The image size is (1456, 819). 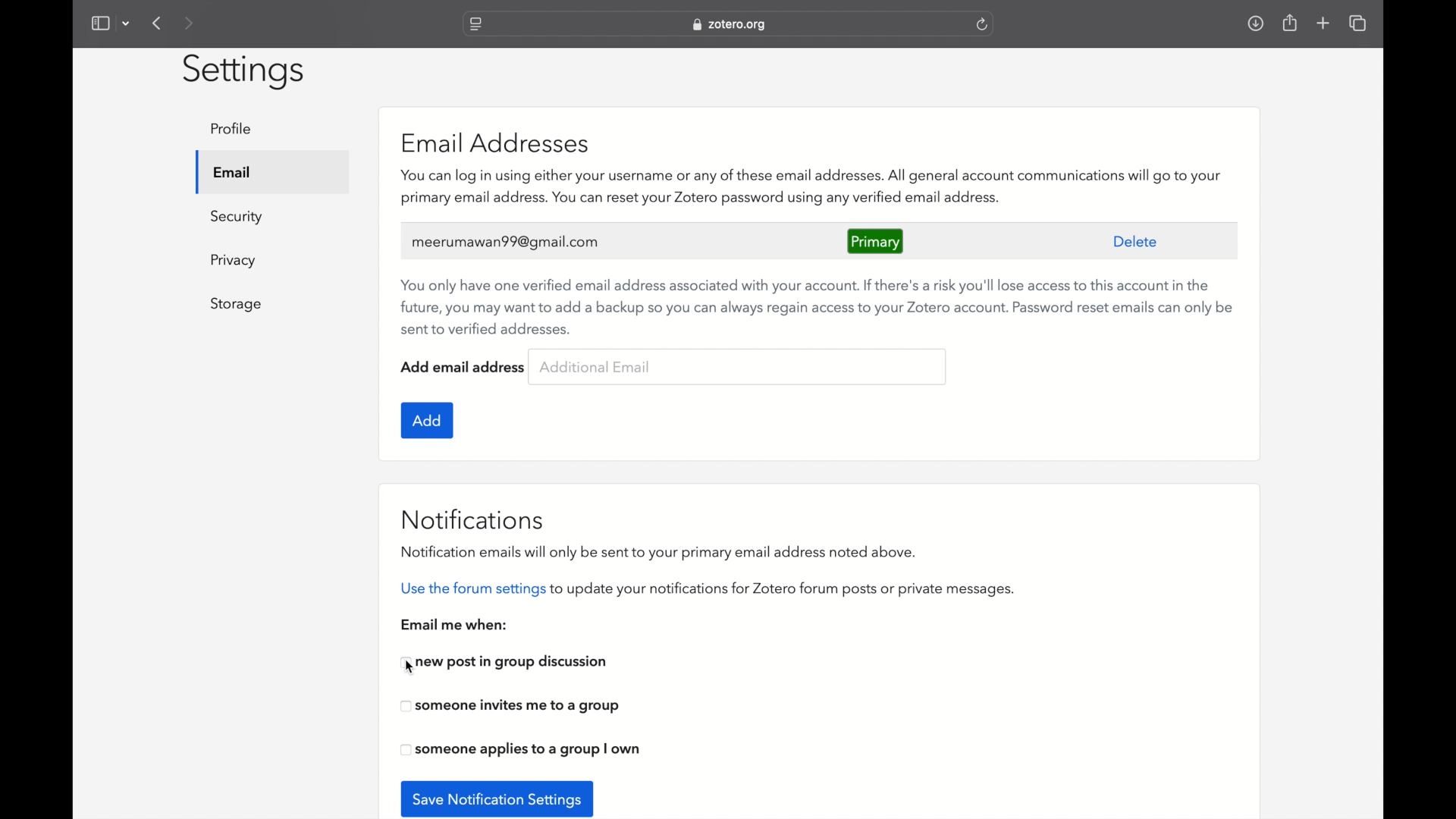 What do you see at coordinates (505, 663) in the screenshot?
I see `new post in group discussion` at bounding box center [505, 663].